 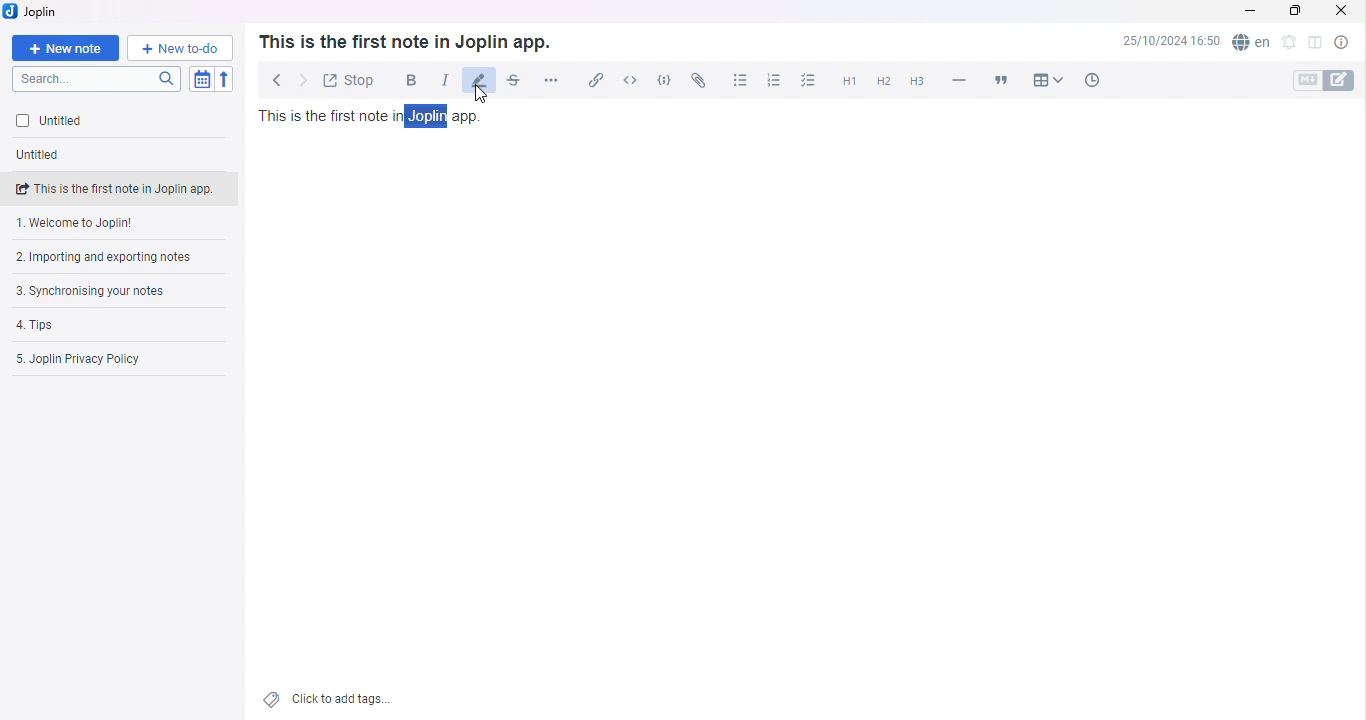 I want to click on Code block, so click(x=664, y=80).